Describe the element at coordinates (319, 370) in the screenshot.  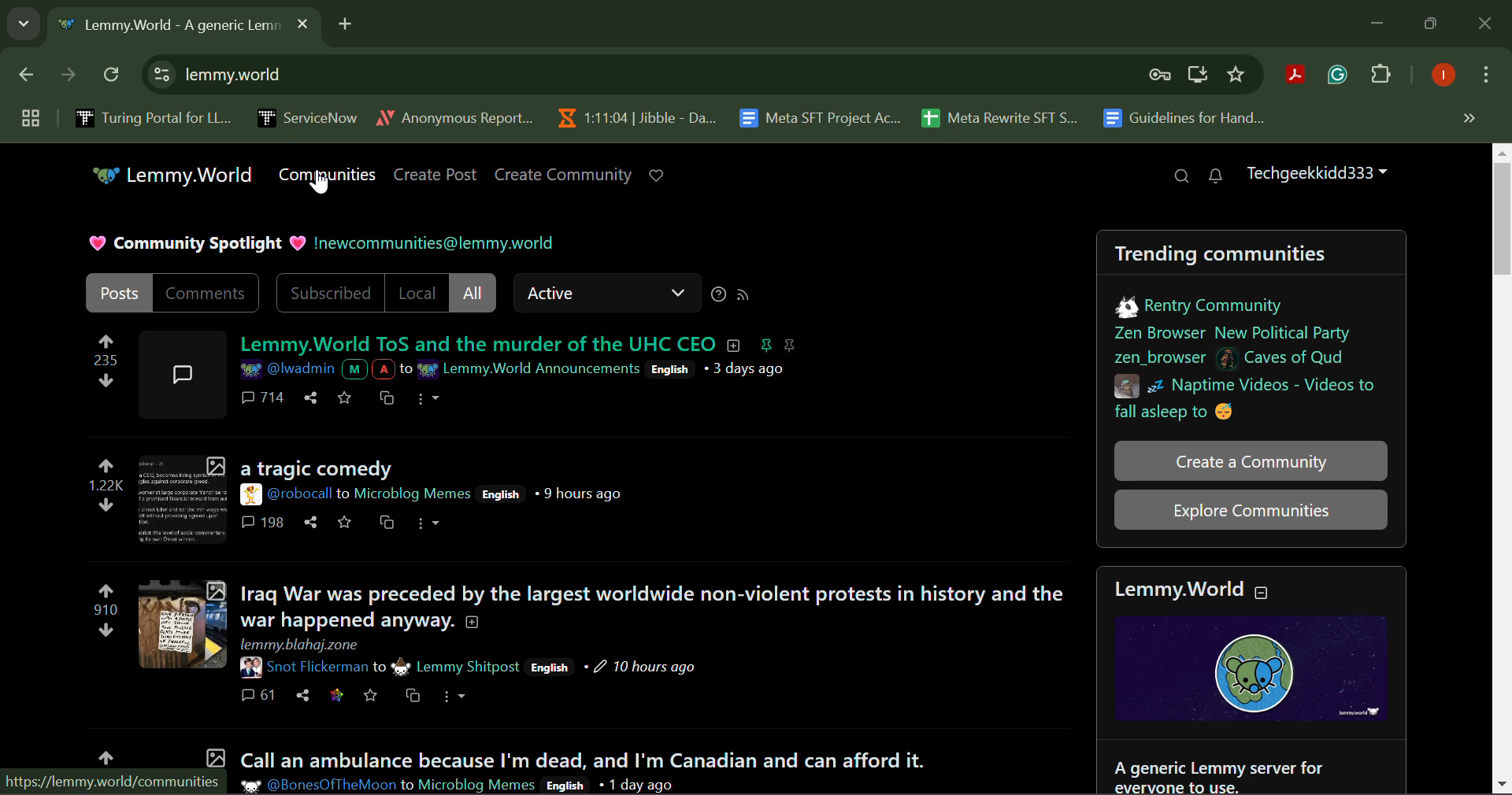
I see `@lwadmin` at that location.